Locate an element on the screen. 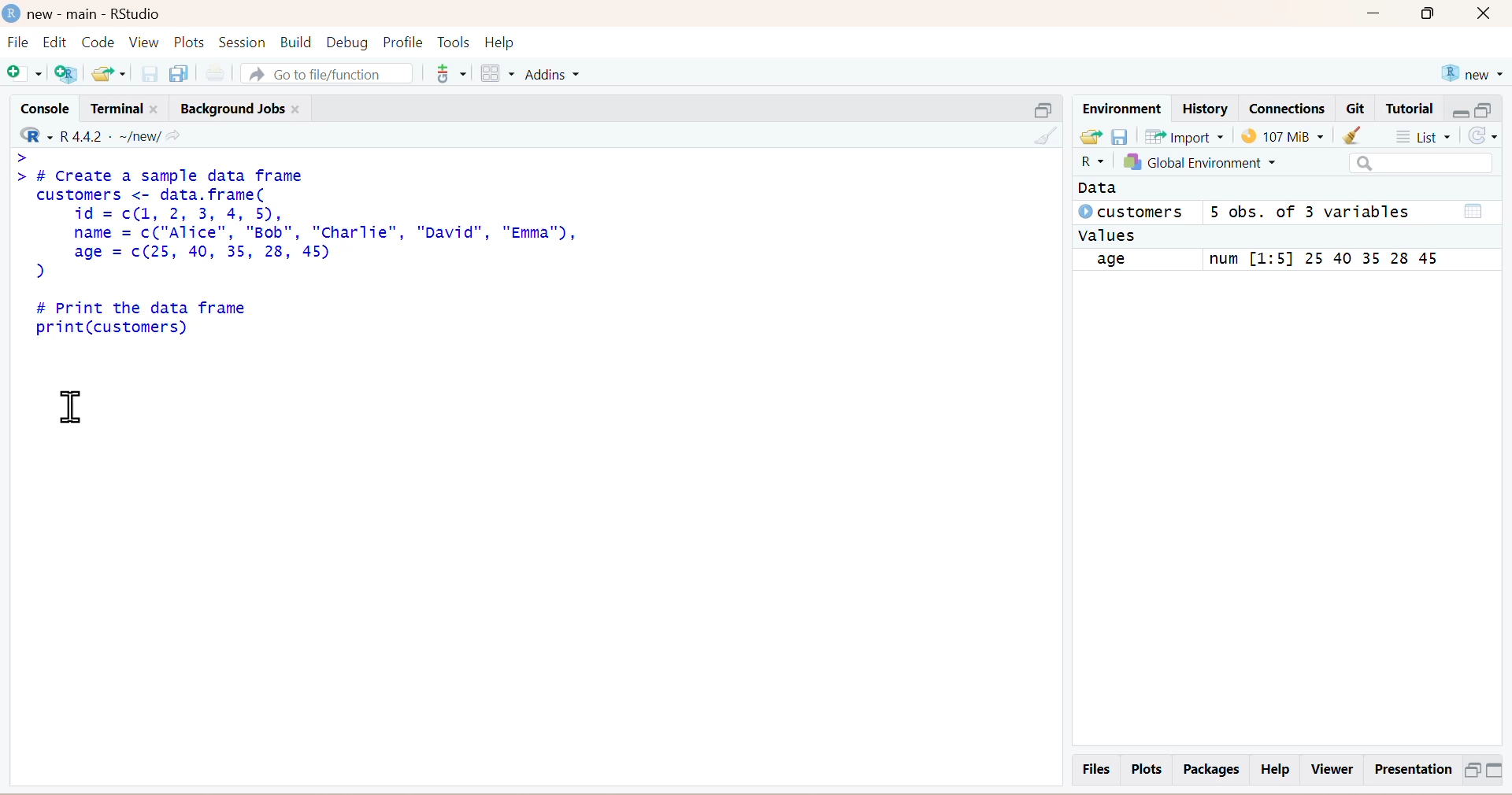  Print the current files is located at coordinates (213, 72).